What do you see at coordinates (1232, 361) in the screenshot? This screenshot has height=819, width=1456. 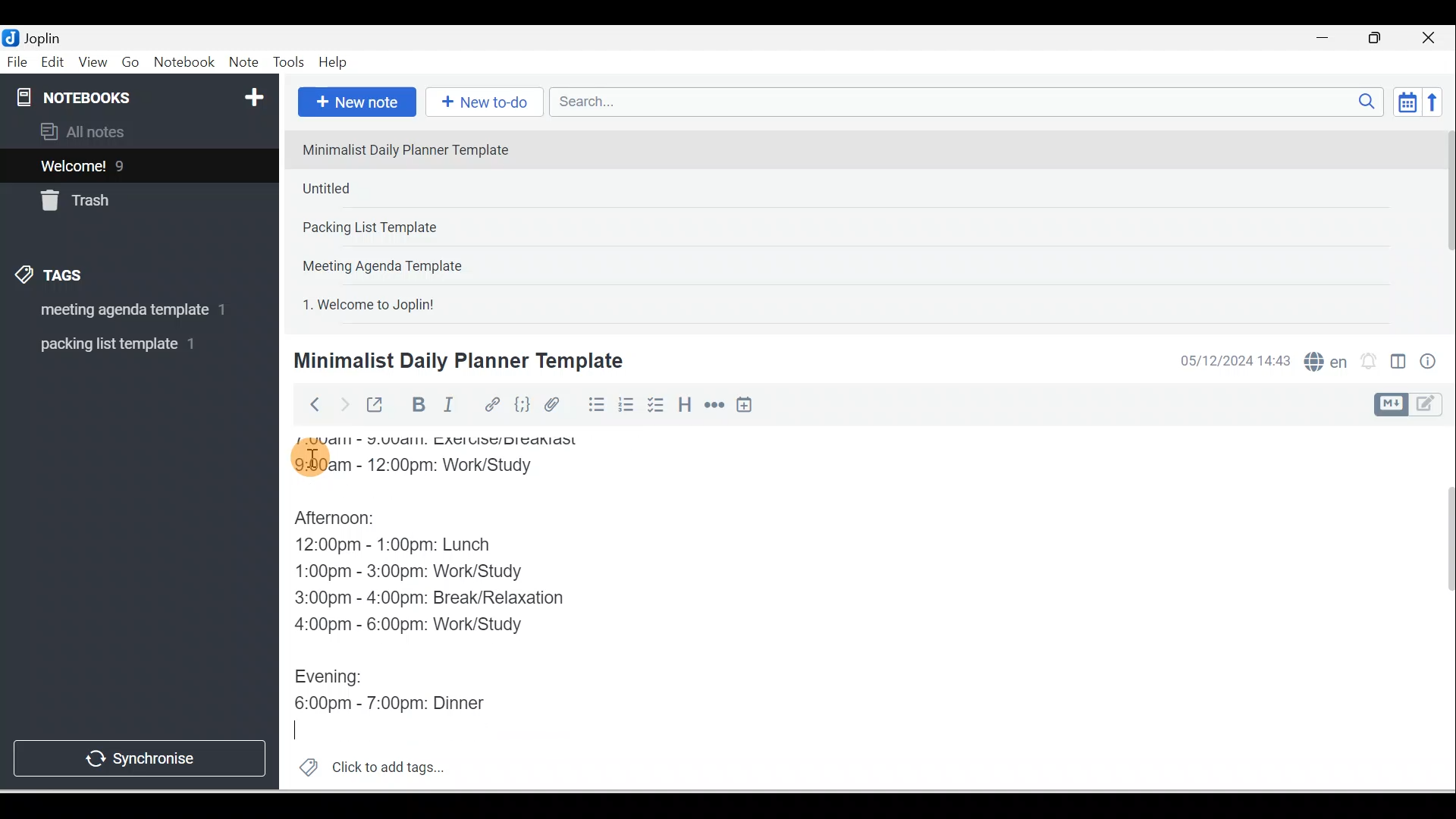 I see `Date & time` at bounding box center [1232, 361].